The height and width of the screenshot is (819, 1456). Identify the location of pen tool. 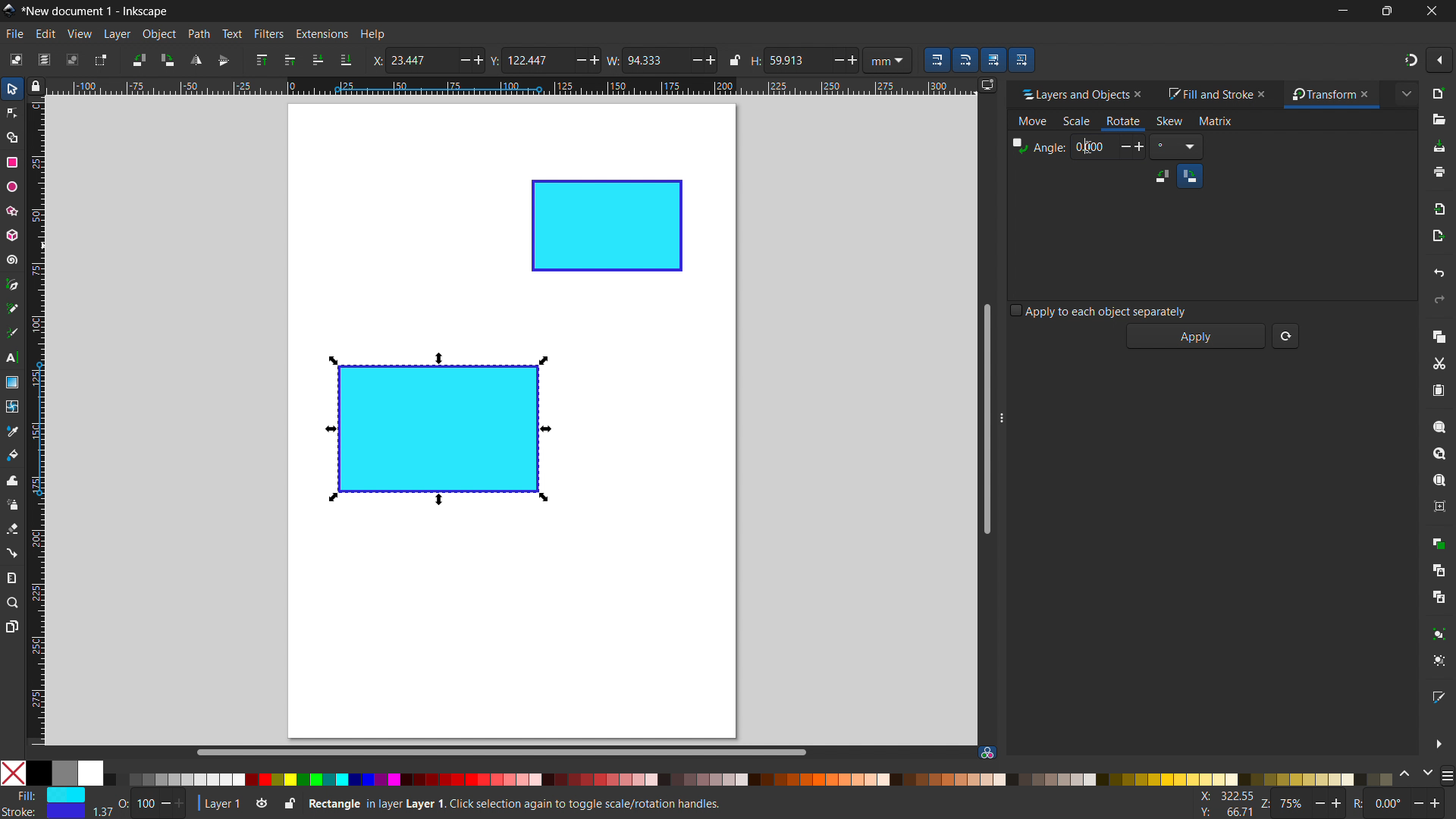
(13, 284).